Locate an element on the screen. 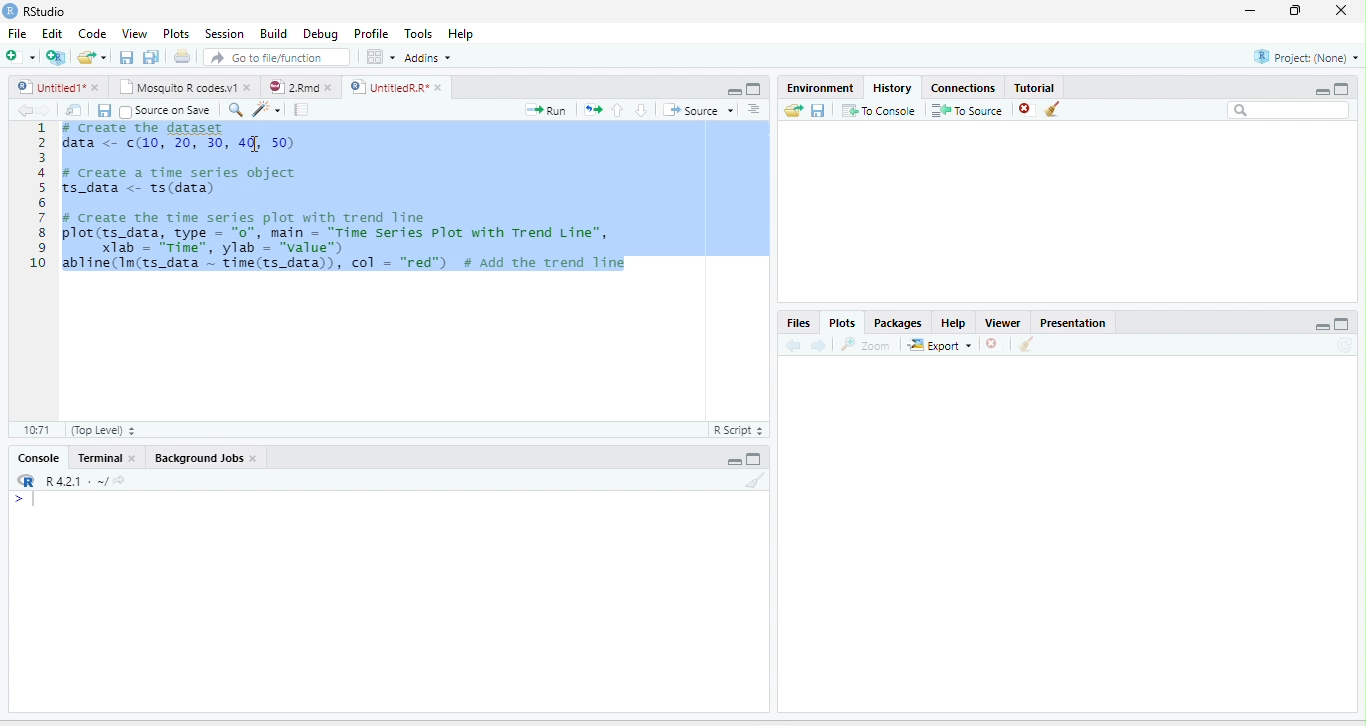 This screenshot has height=726, width=1366. Save history into a file is located at coordinates (818, 110).